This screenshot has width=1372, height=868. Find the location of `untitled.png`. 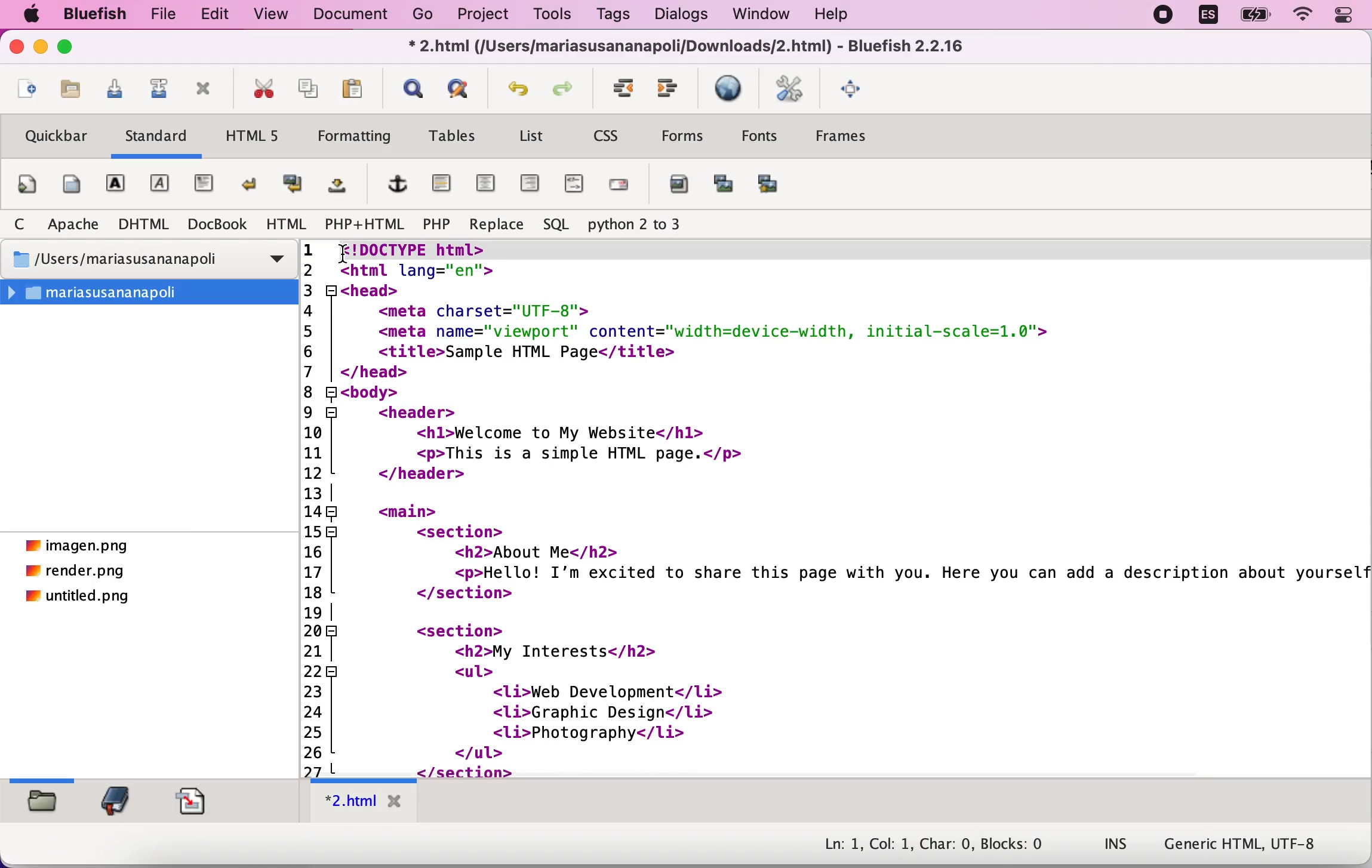

untitled.png is located at coordinates (80, 599).